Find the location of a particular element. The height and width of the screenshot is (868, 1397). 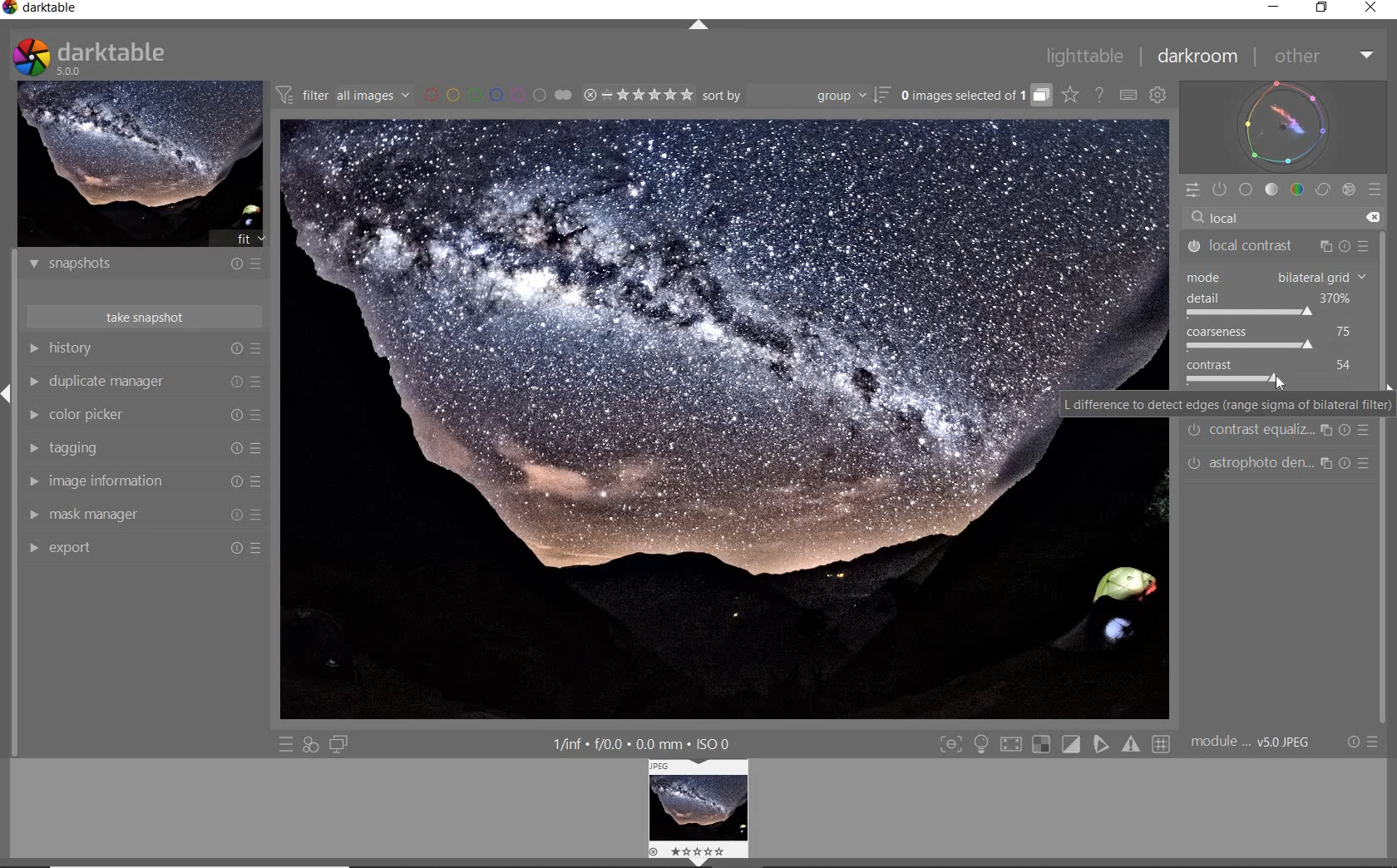

QUICK ACCESS PANEL is located at coordinates (1195, 190).